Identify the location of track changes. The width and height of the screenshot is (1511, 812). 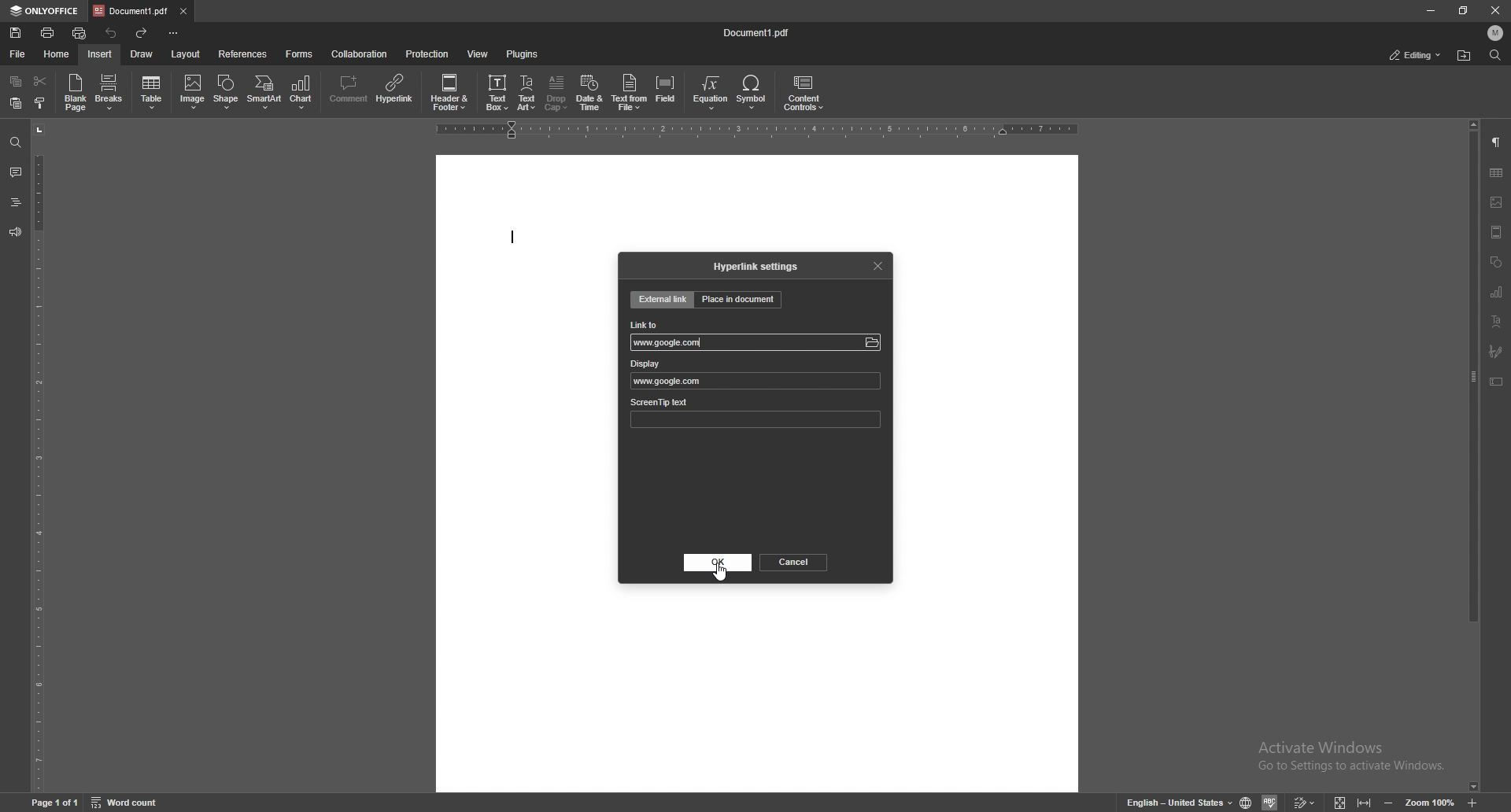
(1306, 802).